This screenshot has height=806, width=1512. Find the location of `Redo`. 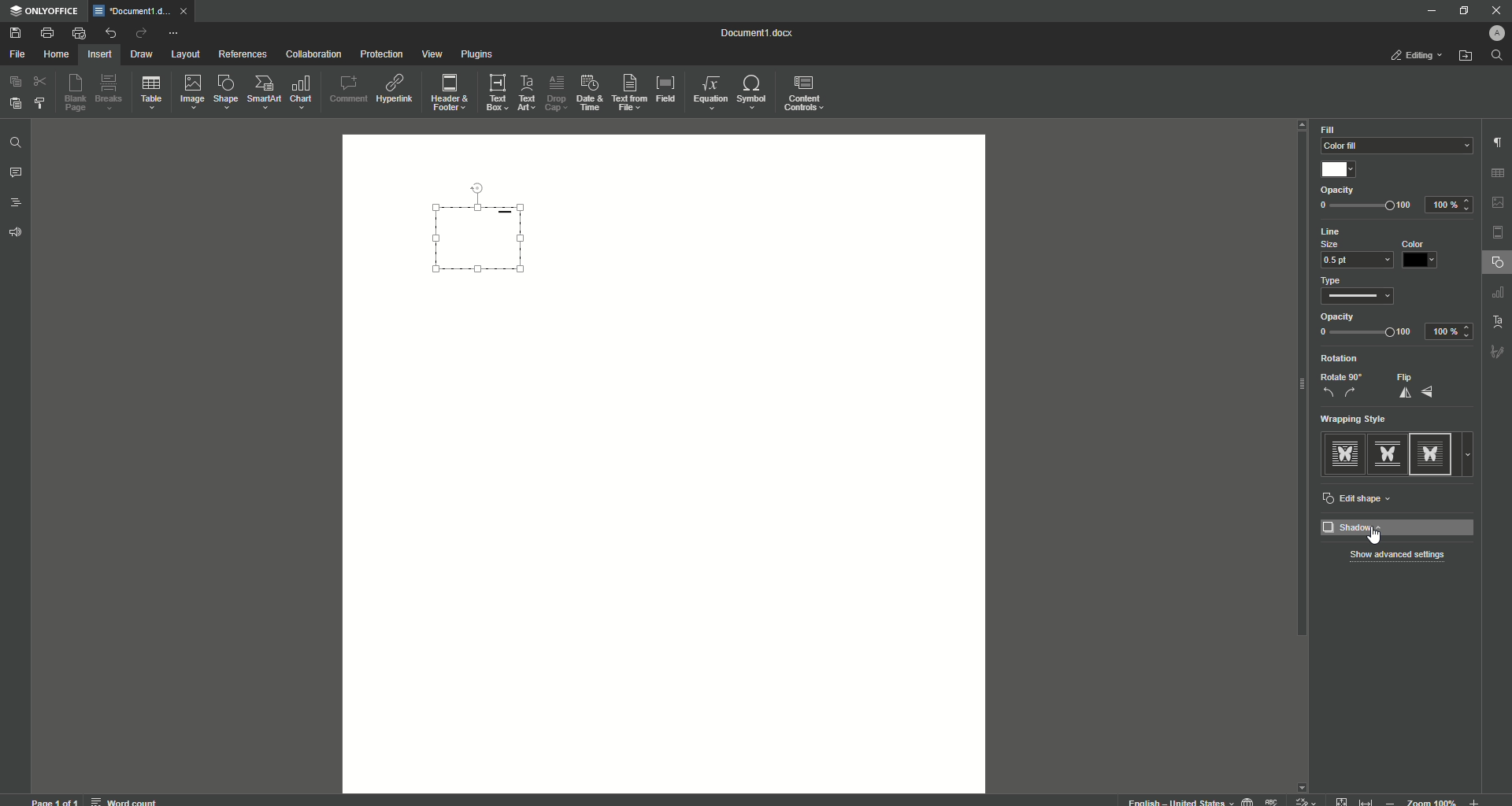

Redo is located at coordinates (140, 35).